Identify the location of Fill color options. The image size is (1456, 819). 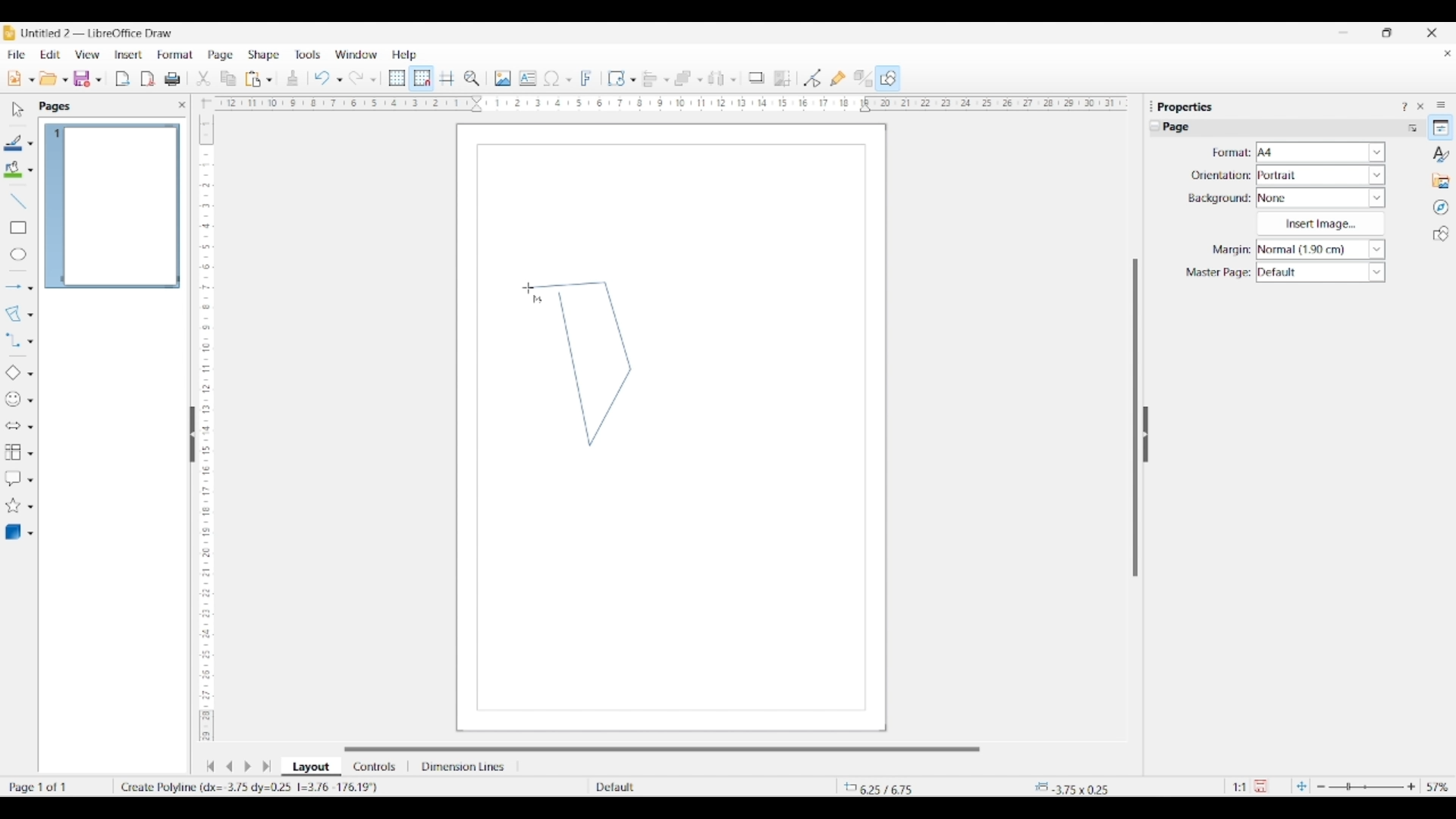
(30, 171).